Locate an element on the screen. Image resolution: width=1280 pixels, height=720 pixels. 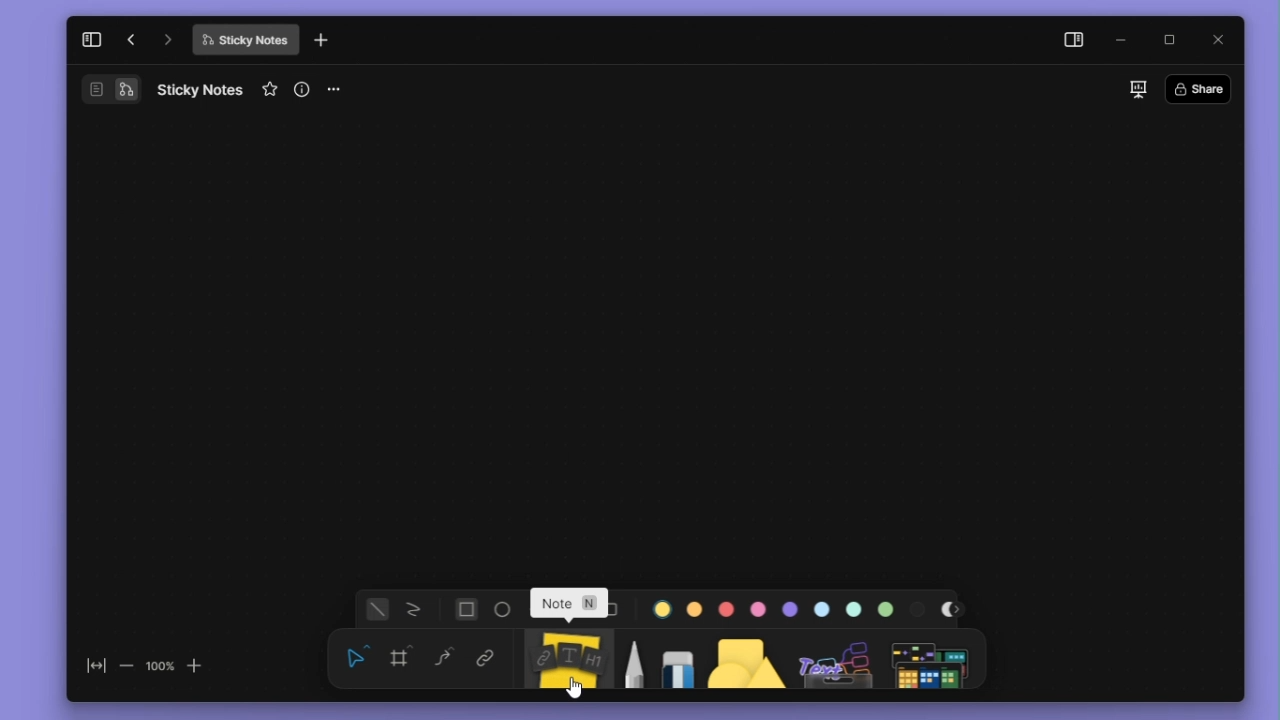
shape is located at coordinates (743, 661).